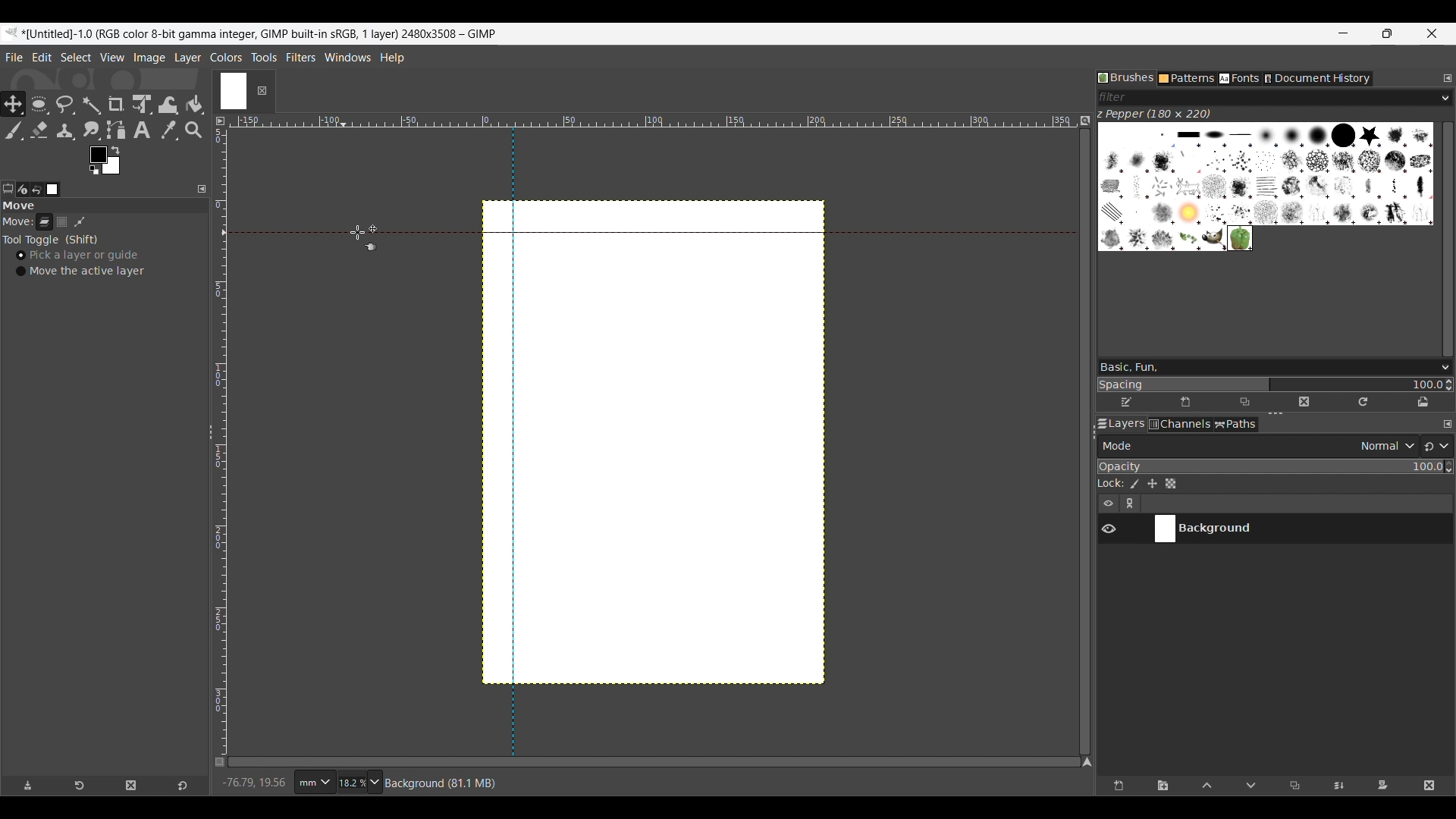 The height and width of the screenshot is (819, 1456). I want to click on Text tool, so click(143, 130).